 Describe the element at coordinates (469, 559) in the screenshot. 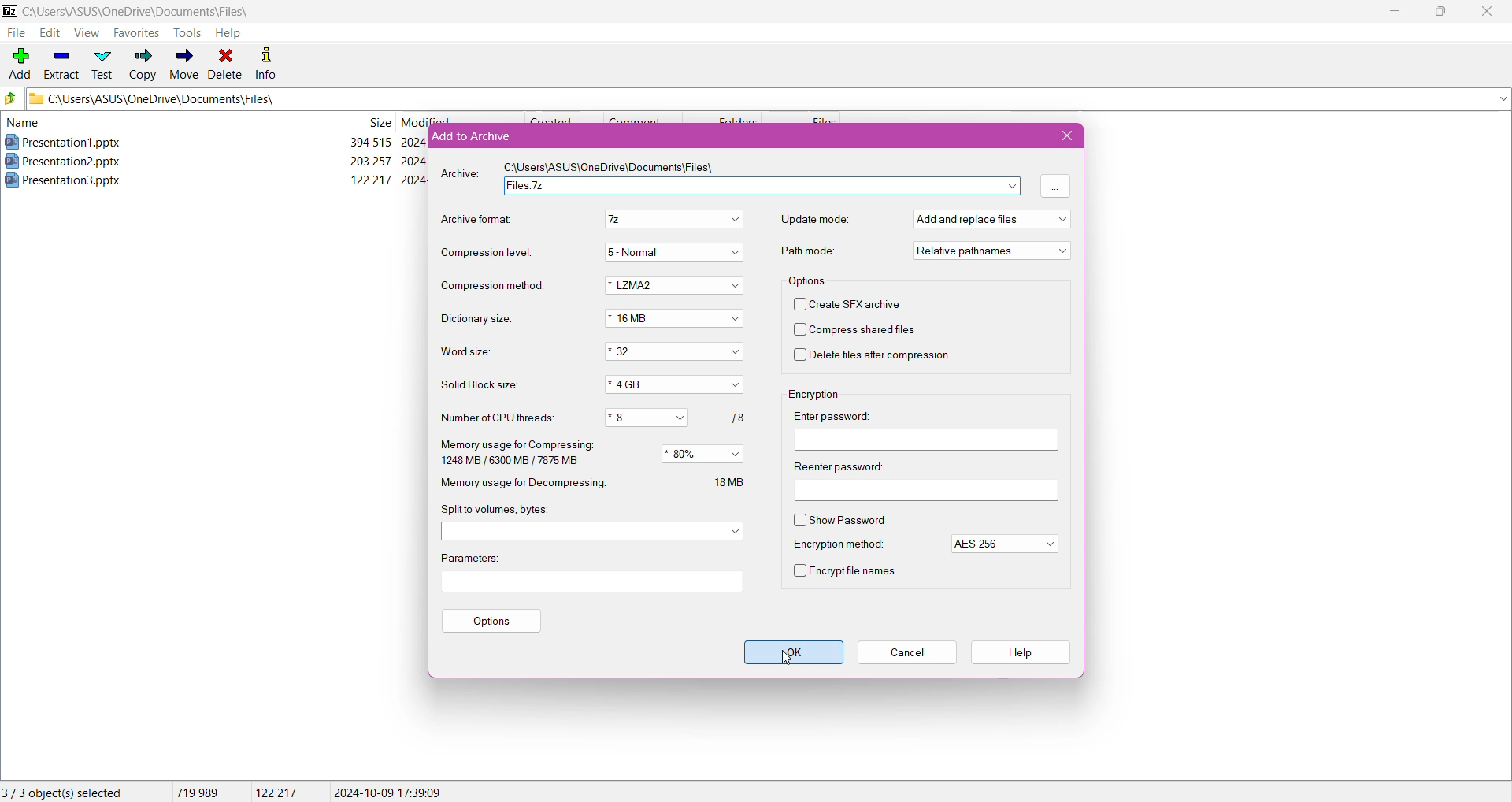

I see `Parameters` at that location.